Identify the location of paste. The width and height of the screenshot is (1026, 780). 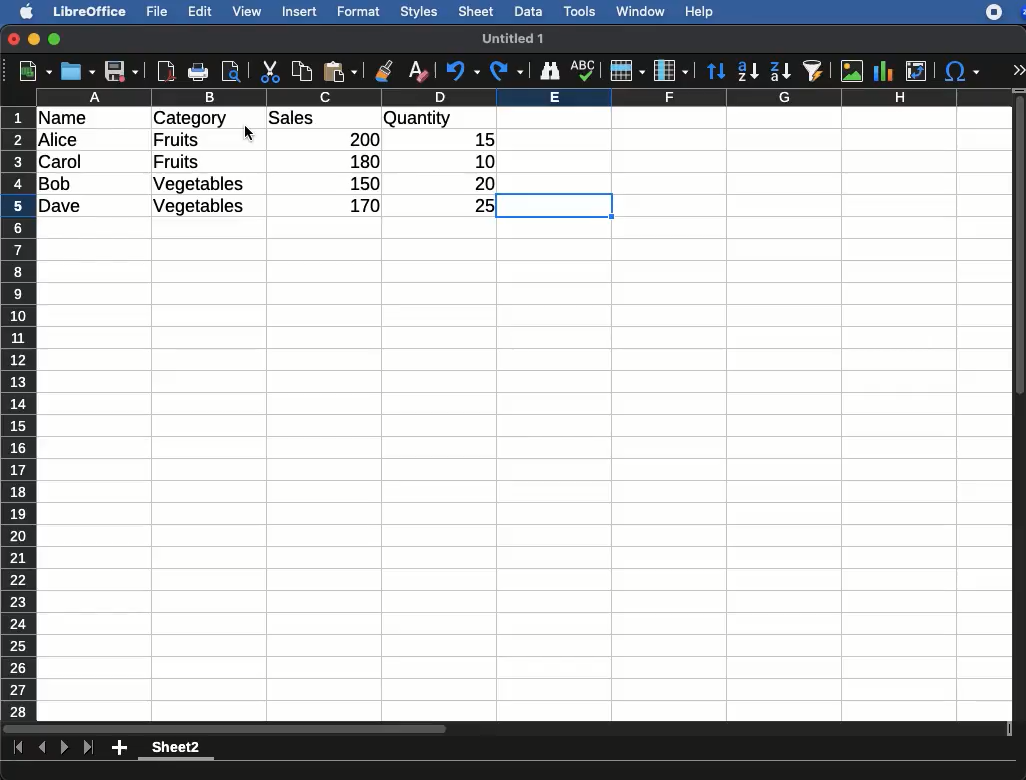
(339, 71).